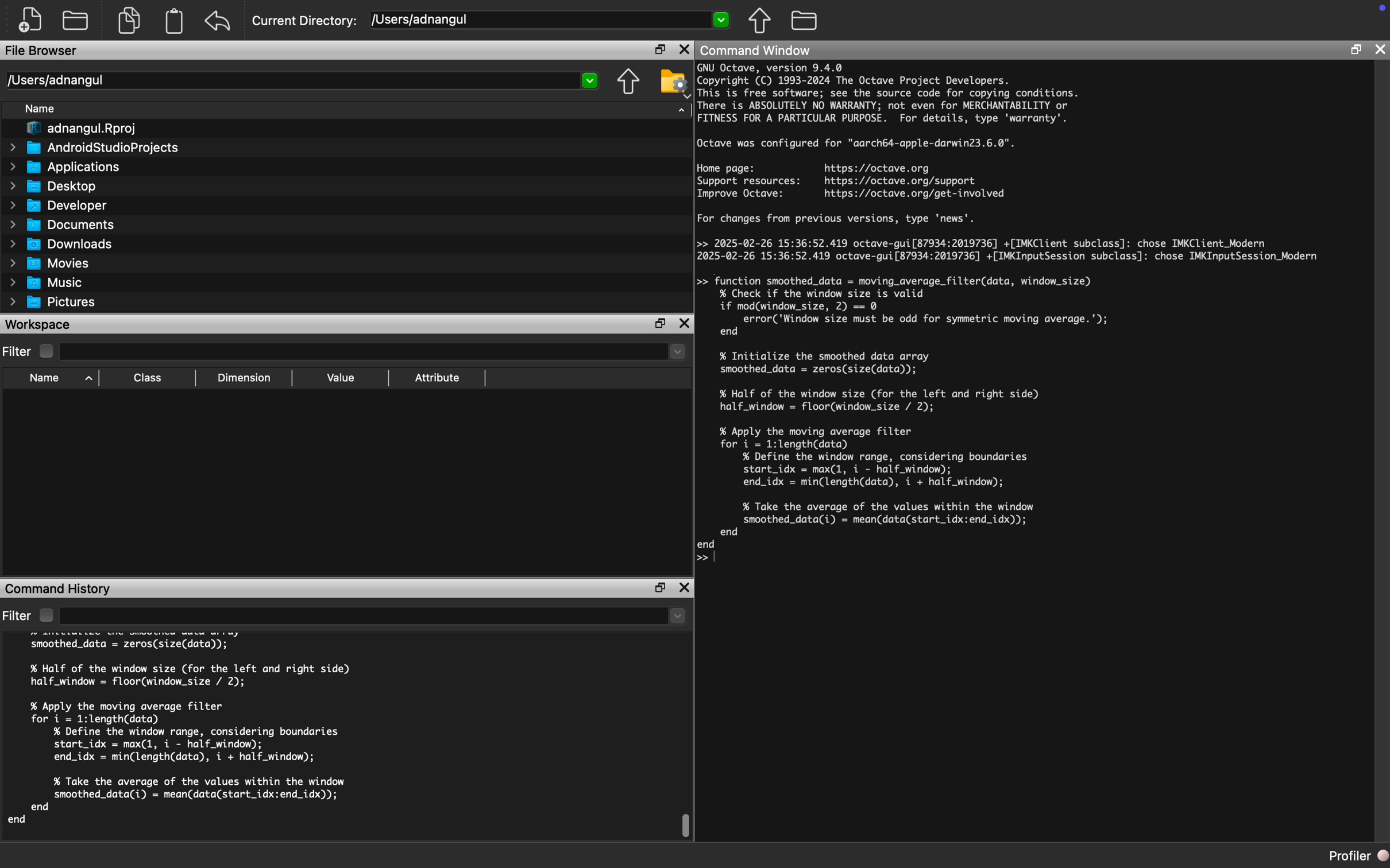 This screenshot has width=1390, height=868. I want to click on Command History, so click(58, 589).